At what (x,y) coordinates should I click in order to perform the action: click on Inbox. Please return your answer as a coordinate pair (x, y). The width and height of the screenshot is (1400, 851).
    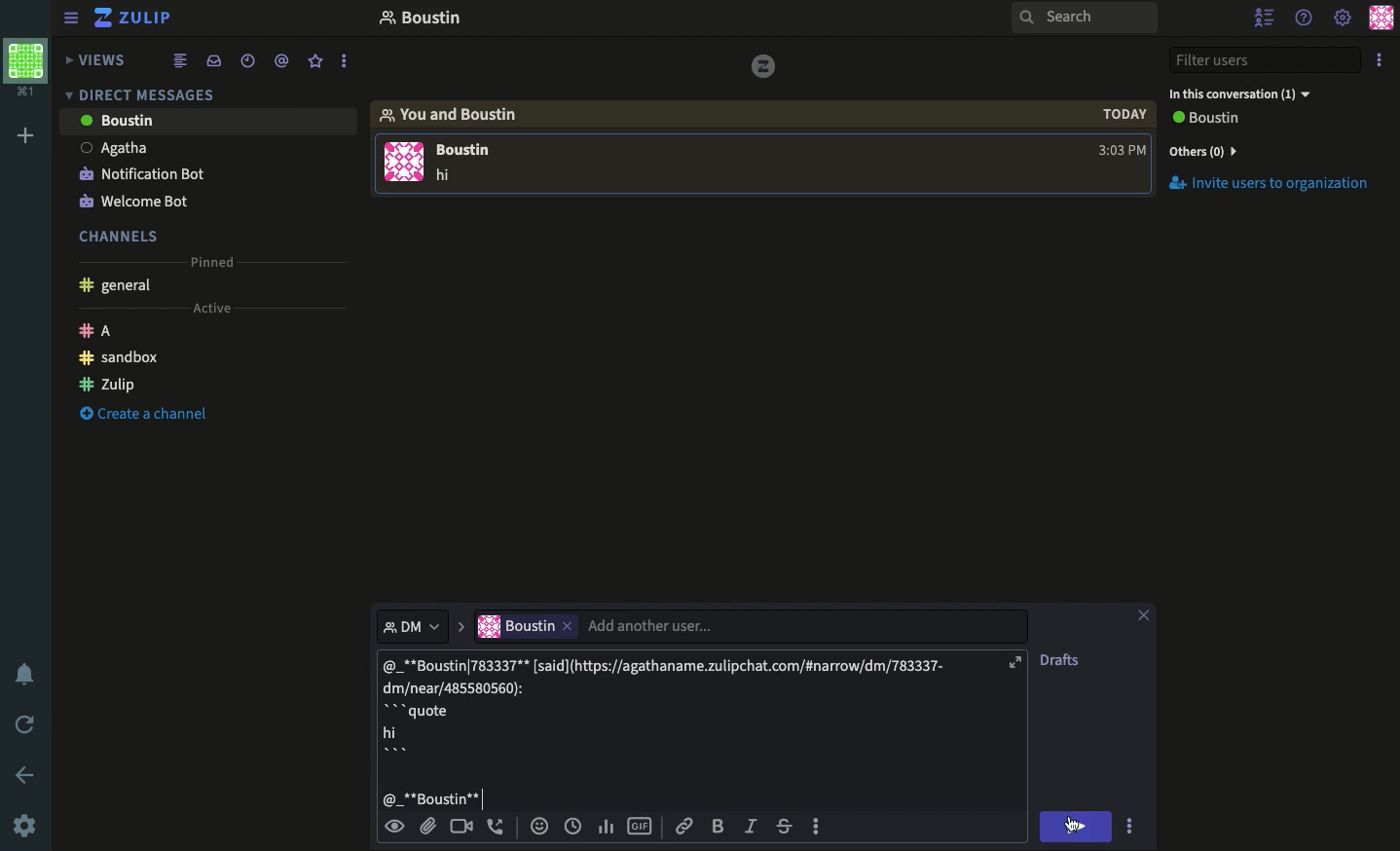
    Looking at the image, I should click on (217, 62).